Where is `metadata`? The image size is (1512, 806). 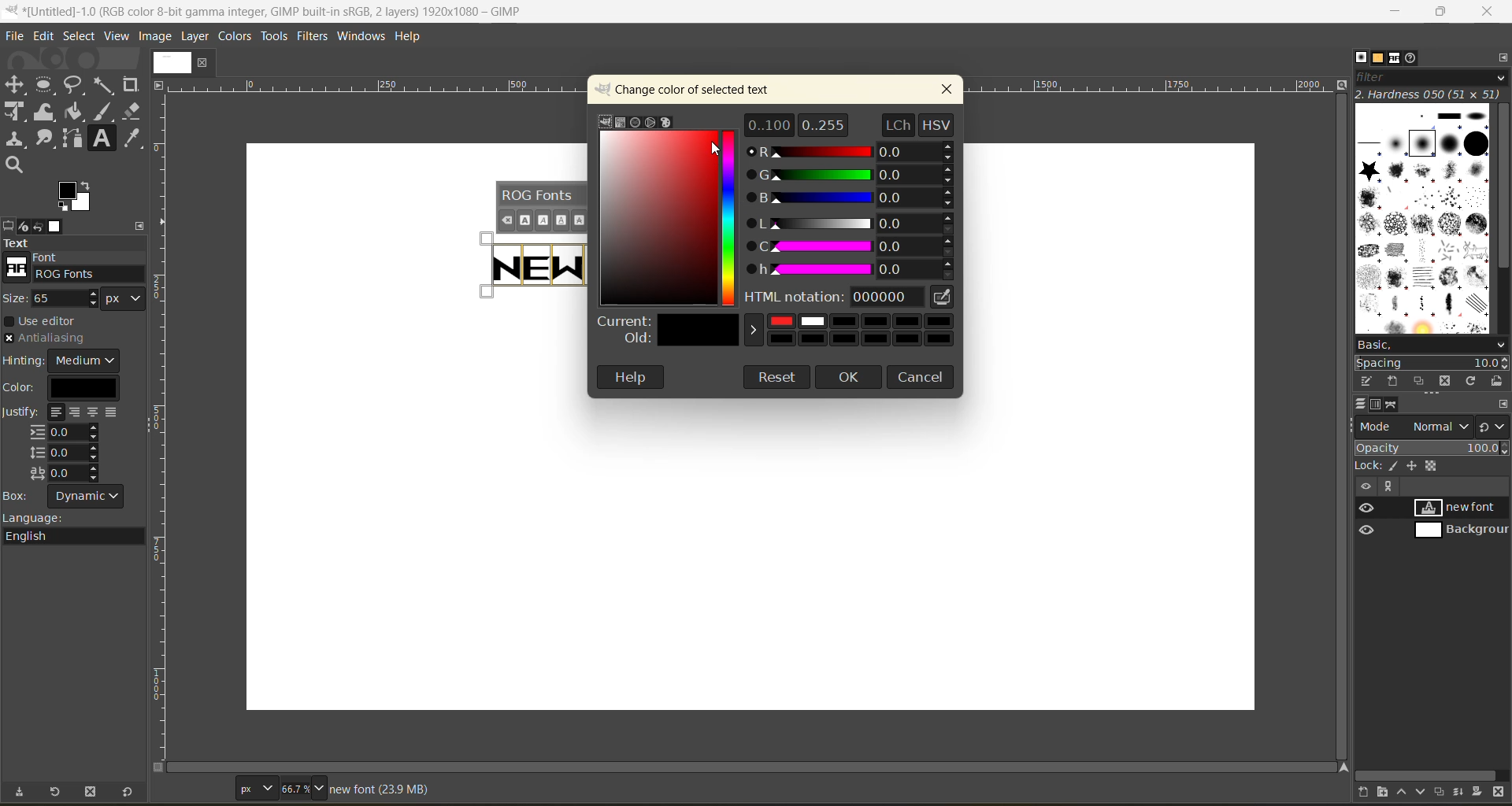 metadata is located at coordinates (379, 789).